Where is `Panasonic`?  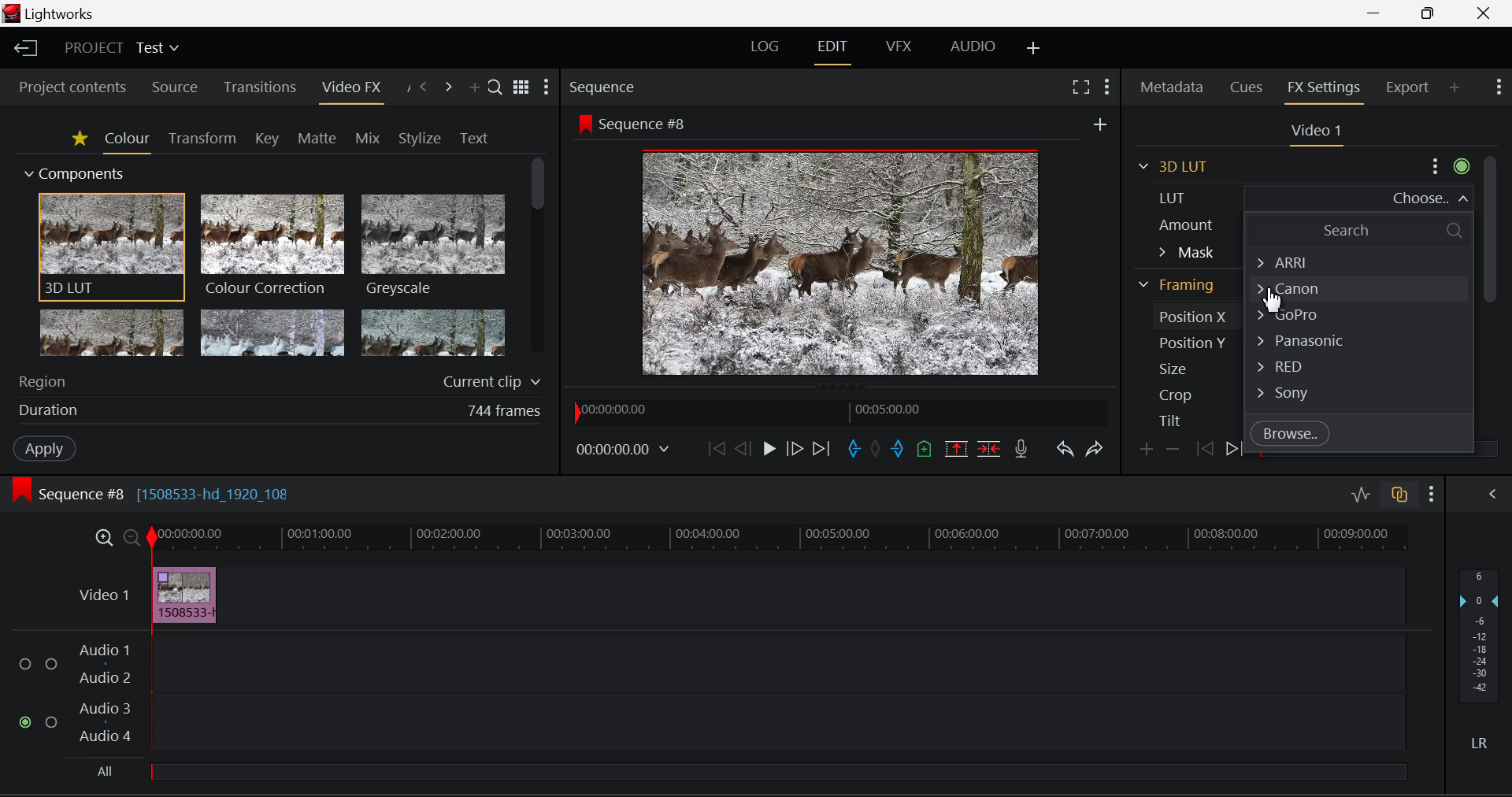
Panasonic is located at coordinates (1341, 339).